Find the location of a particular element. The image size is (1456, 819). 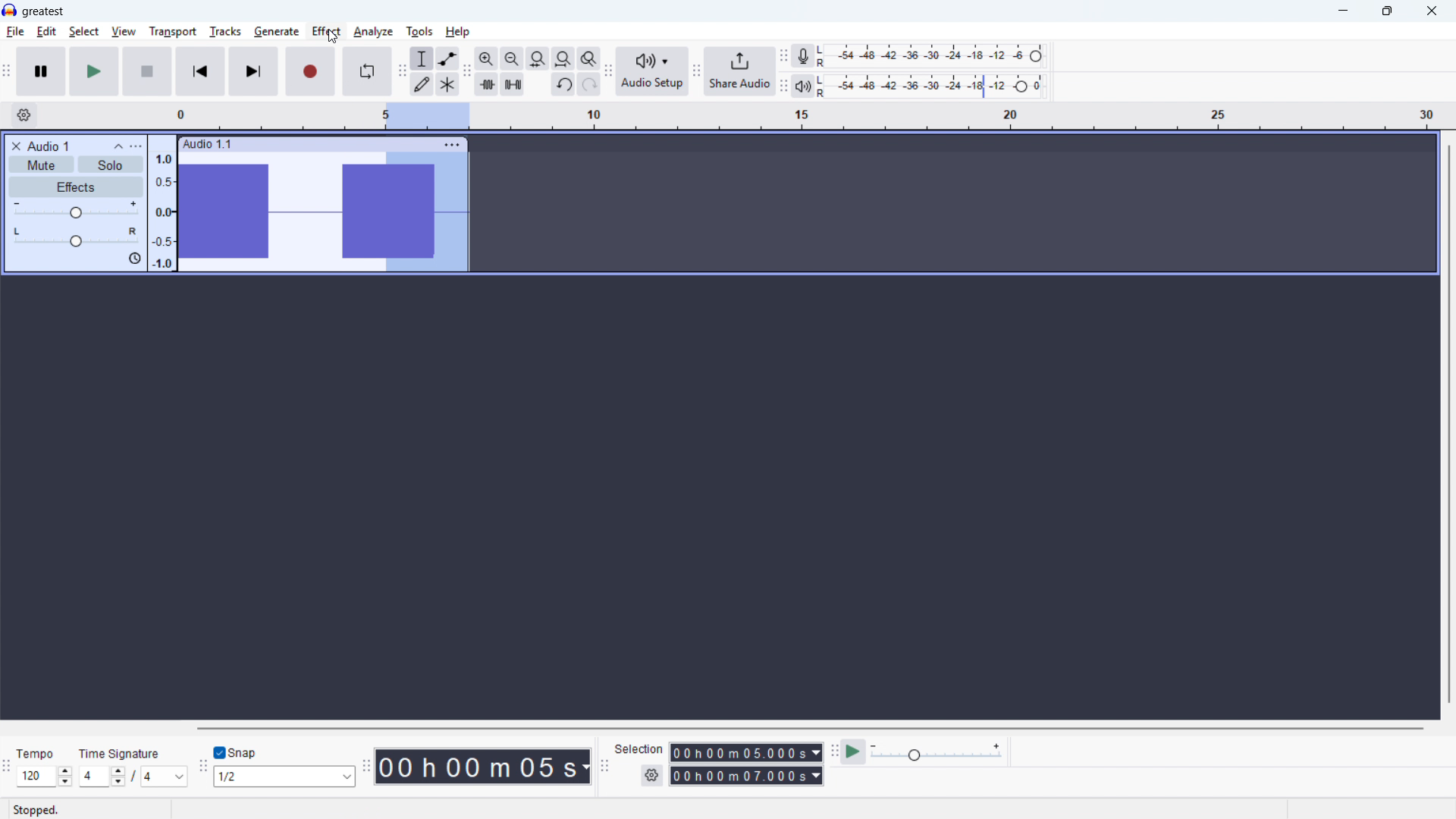

Effects  is located at coordinates (77, 187).